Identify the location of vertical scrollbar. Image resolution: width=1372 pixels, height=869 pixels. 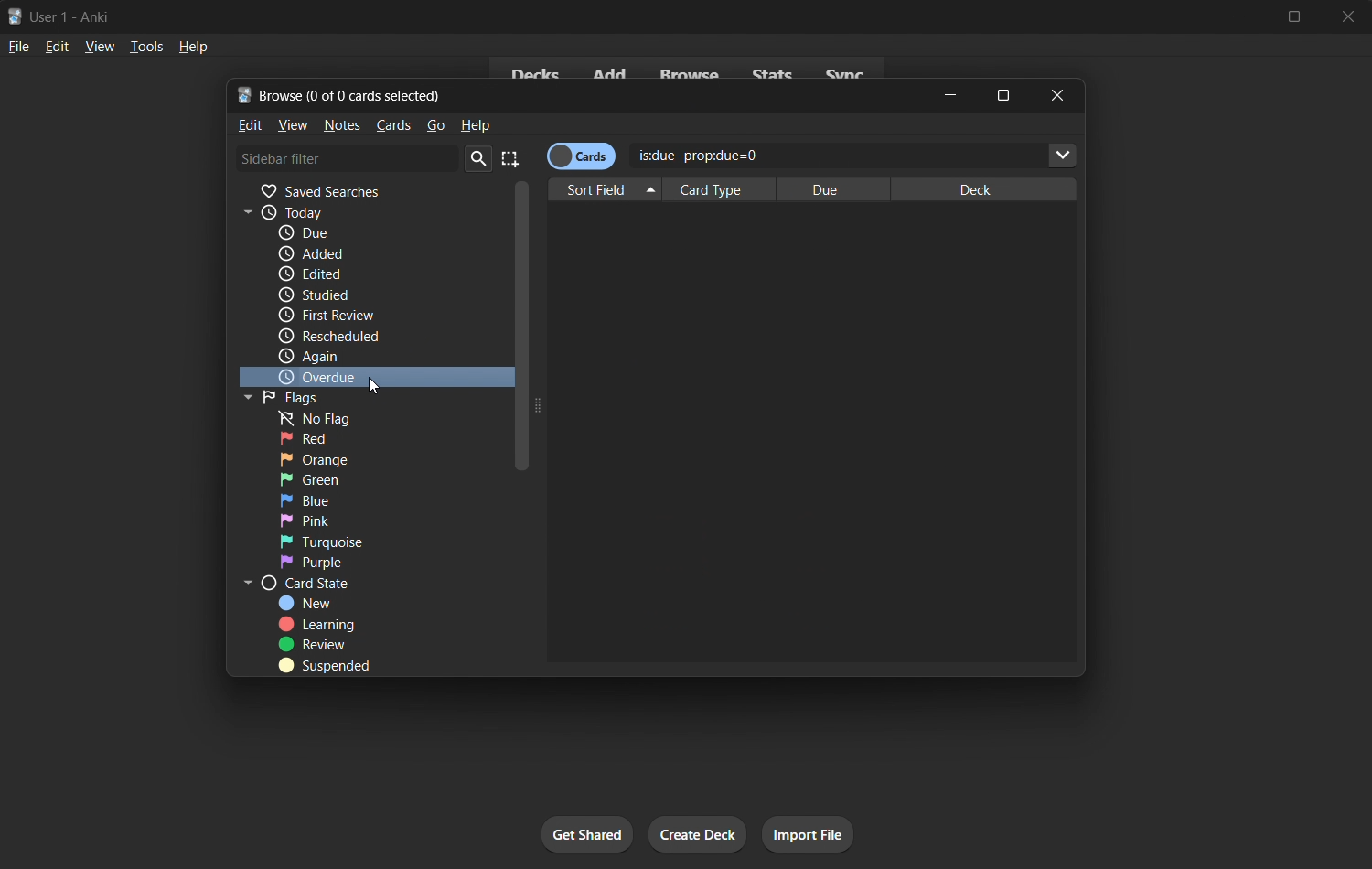
(525, 413).